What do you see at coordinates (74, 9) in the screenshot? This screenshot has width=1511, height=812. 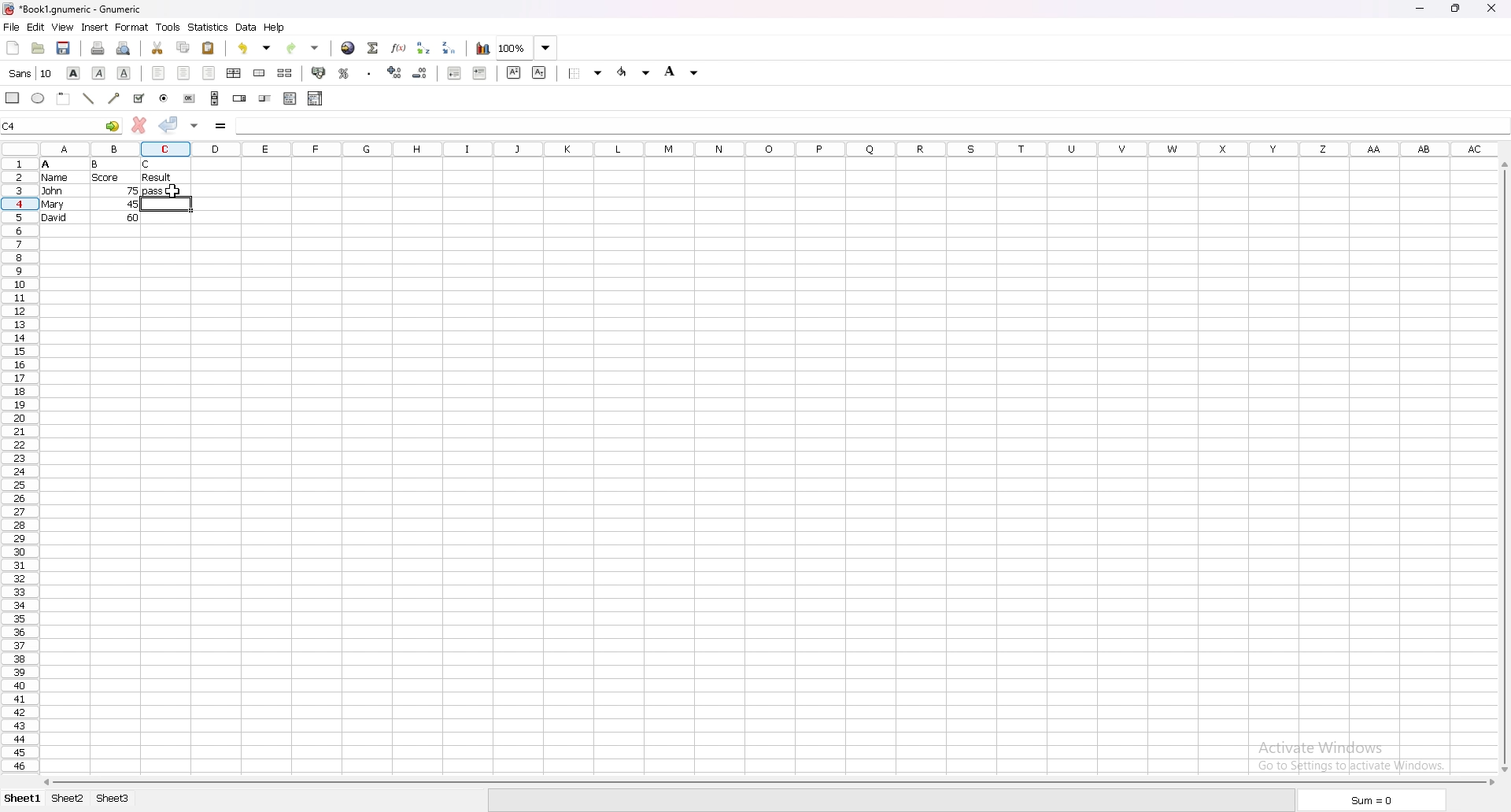 I see `file name` at bounding box center [74, 9].